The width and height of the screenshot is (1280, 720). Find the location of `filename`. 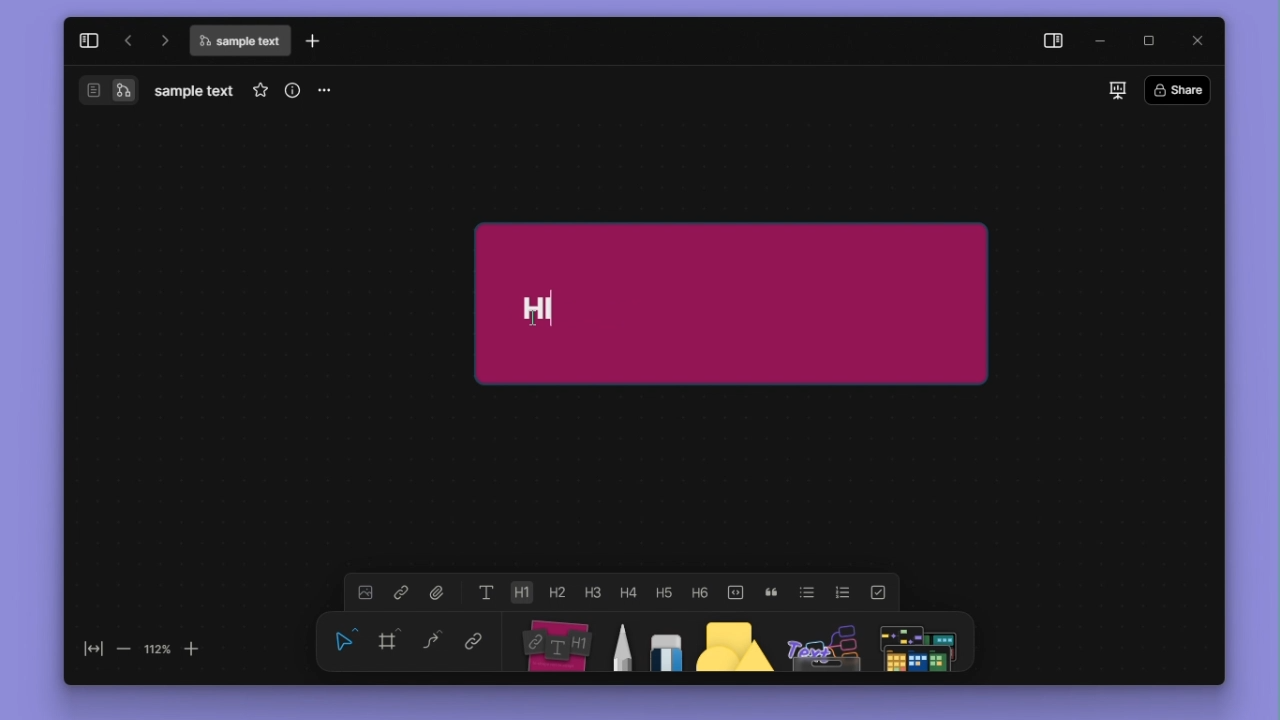

filename is located at coordinates (194, 92).